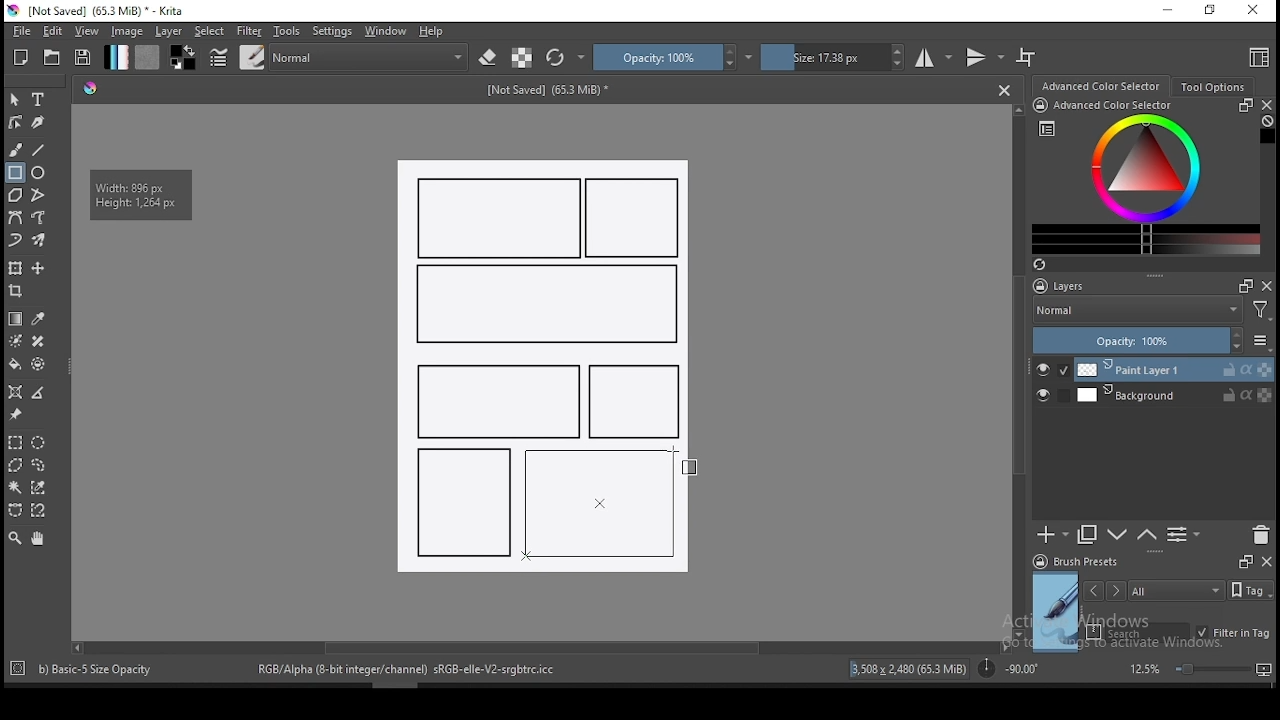 This screenshot has height=720, width=1280. I want to click on Clear, so click(1267, 123).